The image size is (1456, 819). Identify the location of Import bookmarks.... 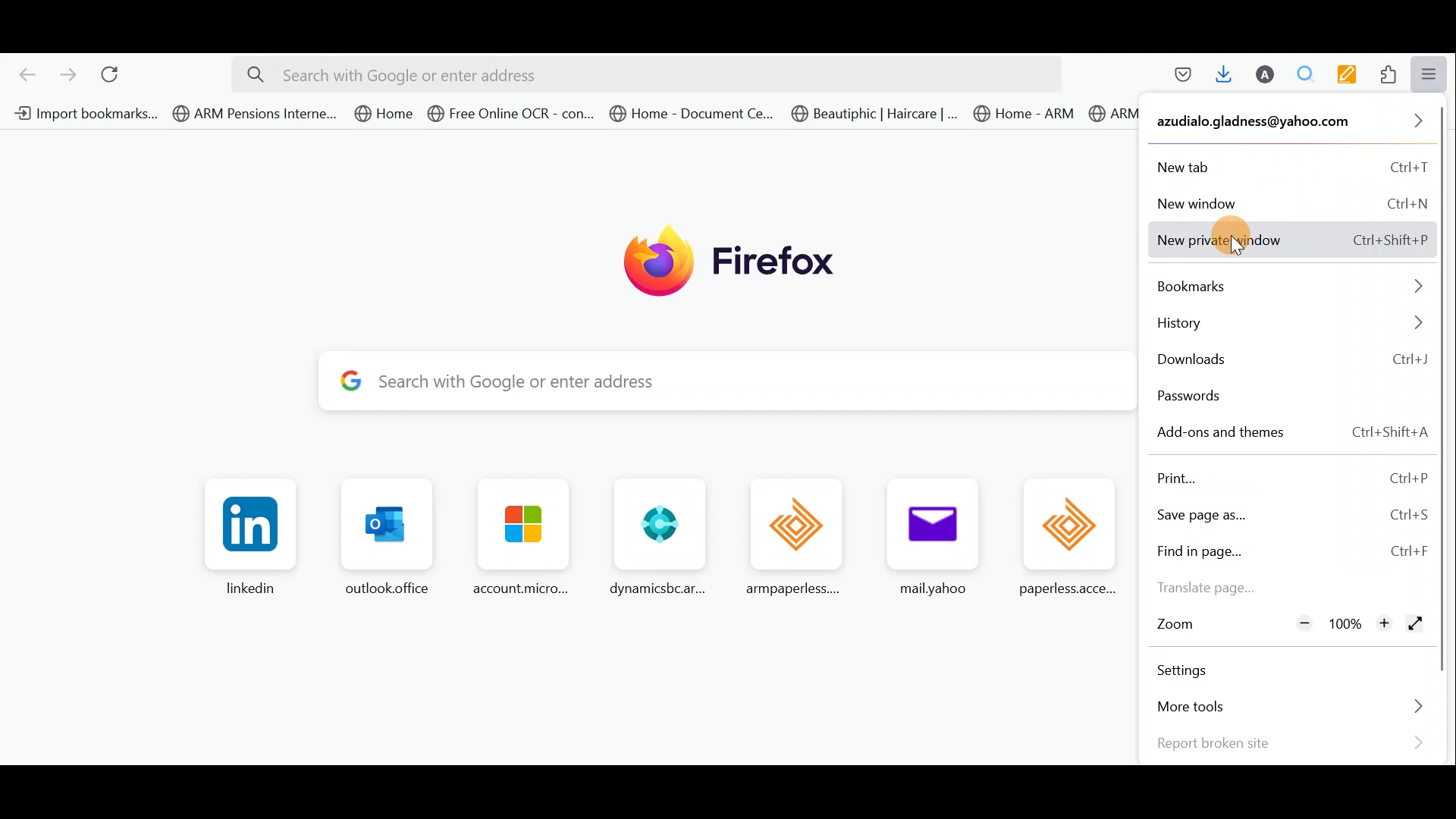
(83, 113).